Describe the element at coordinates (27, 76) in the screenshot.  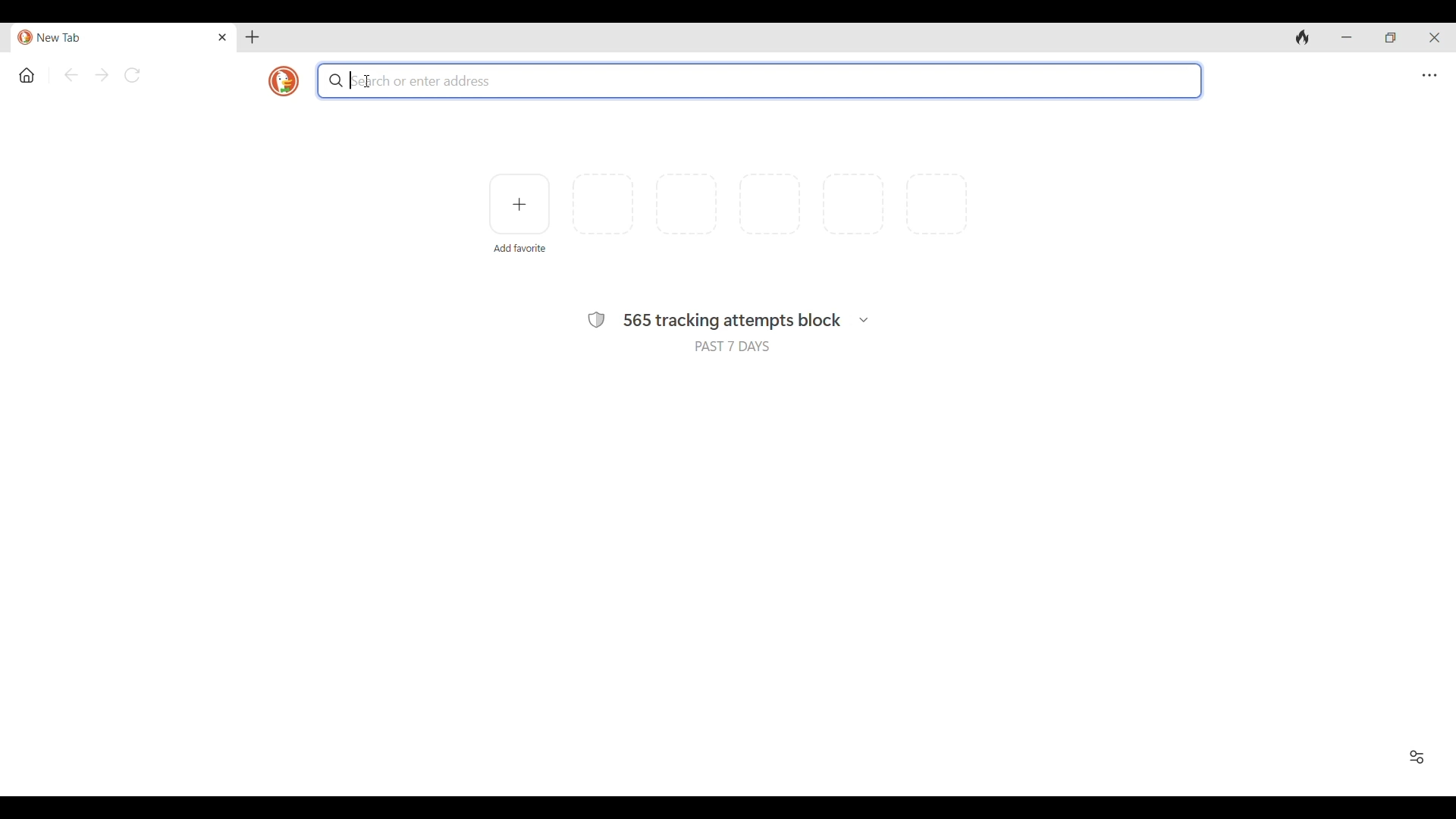
I see `Home` at that location.